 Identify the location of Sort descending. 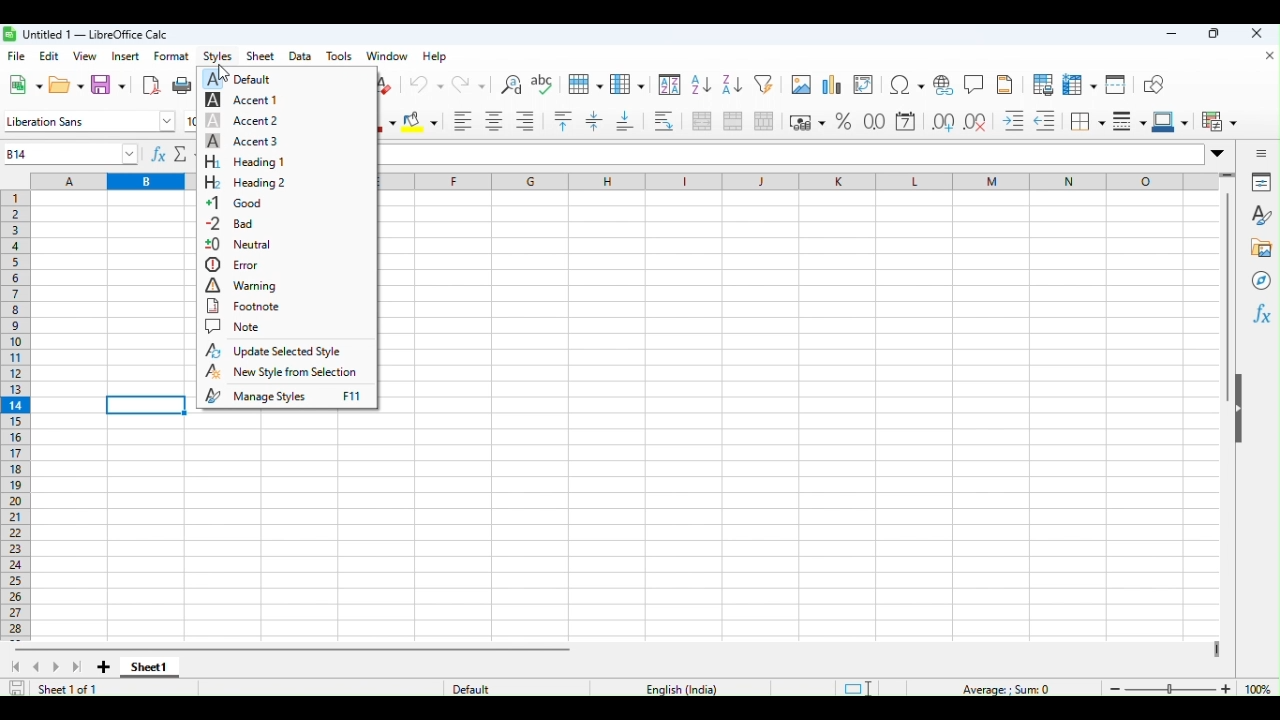
(732, 86).